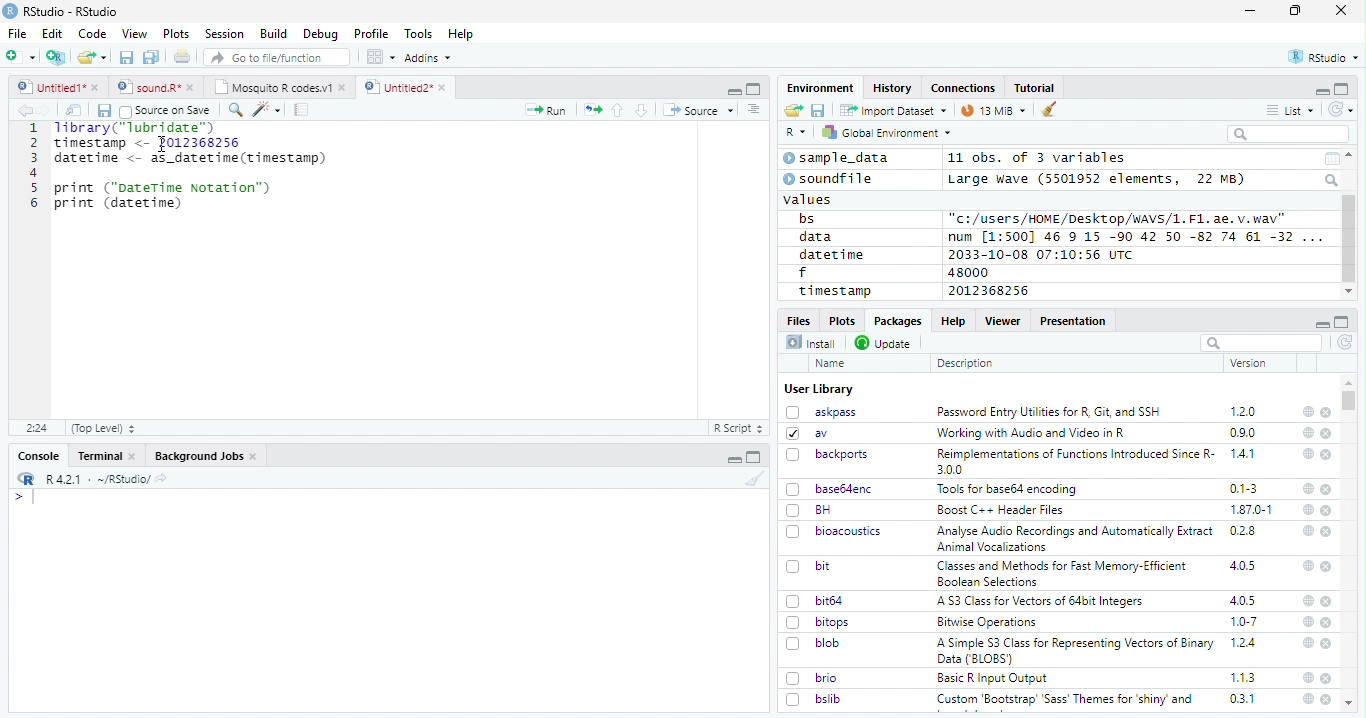  I want to click on Background Jobs, so click(206, 456).